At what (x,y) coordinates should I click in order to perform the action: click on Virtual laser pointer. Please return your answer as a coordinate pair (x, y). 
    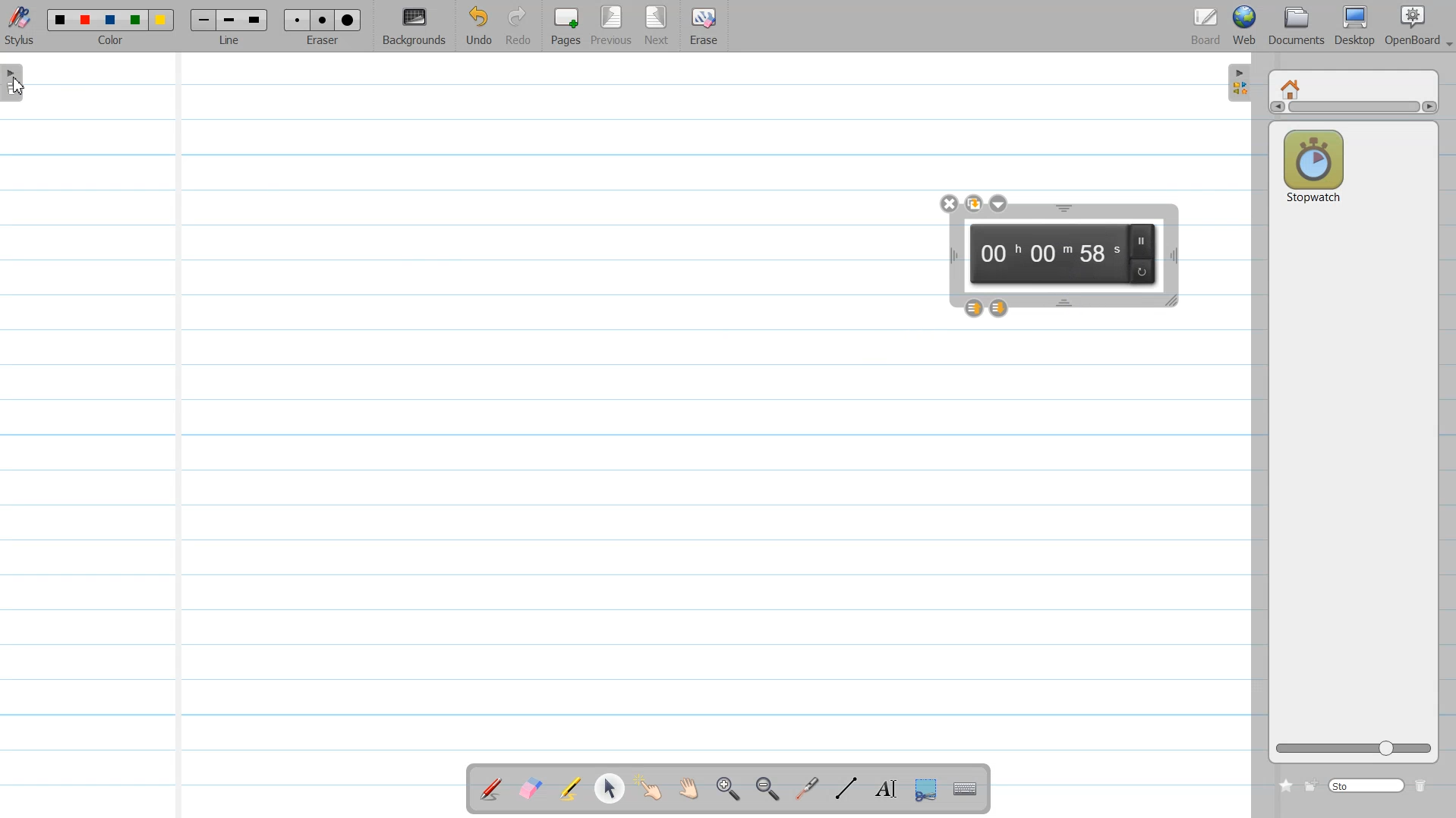
    Looking at the image, I should click on (808, 789).